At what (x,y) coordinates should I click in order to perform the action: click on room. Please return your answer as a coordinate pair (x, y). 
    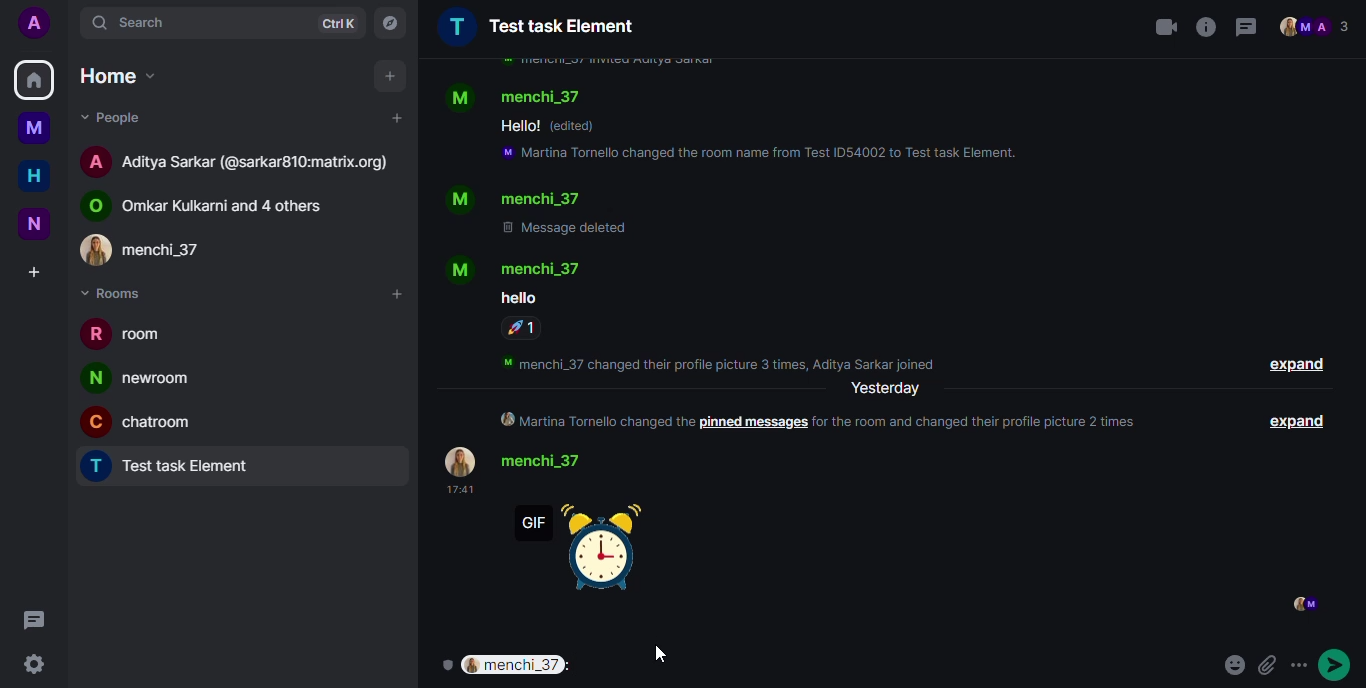
    Looking at the image, I should click on (146, 420).